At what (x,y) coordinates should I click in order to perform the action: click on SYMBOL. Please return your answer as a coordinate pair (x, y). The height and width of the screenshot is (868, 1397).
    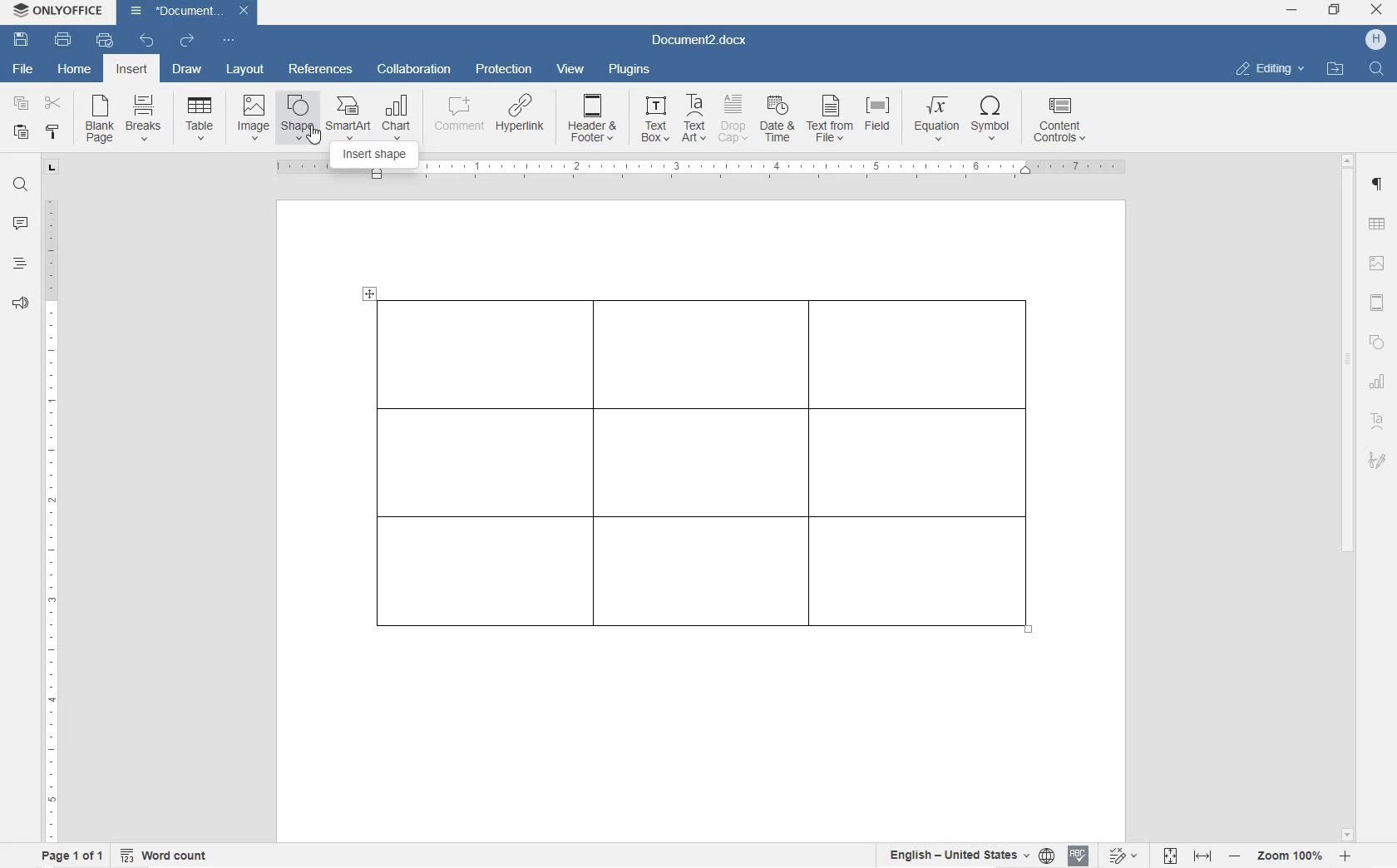
    Looking at the image, I should click on (992, 121).